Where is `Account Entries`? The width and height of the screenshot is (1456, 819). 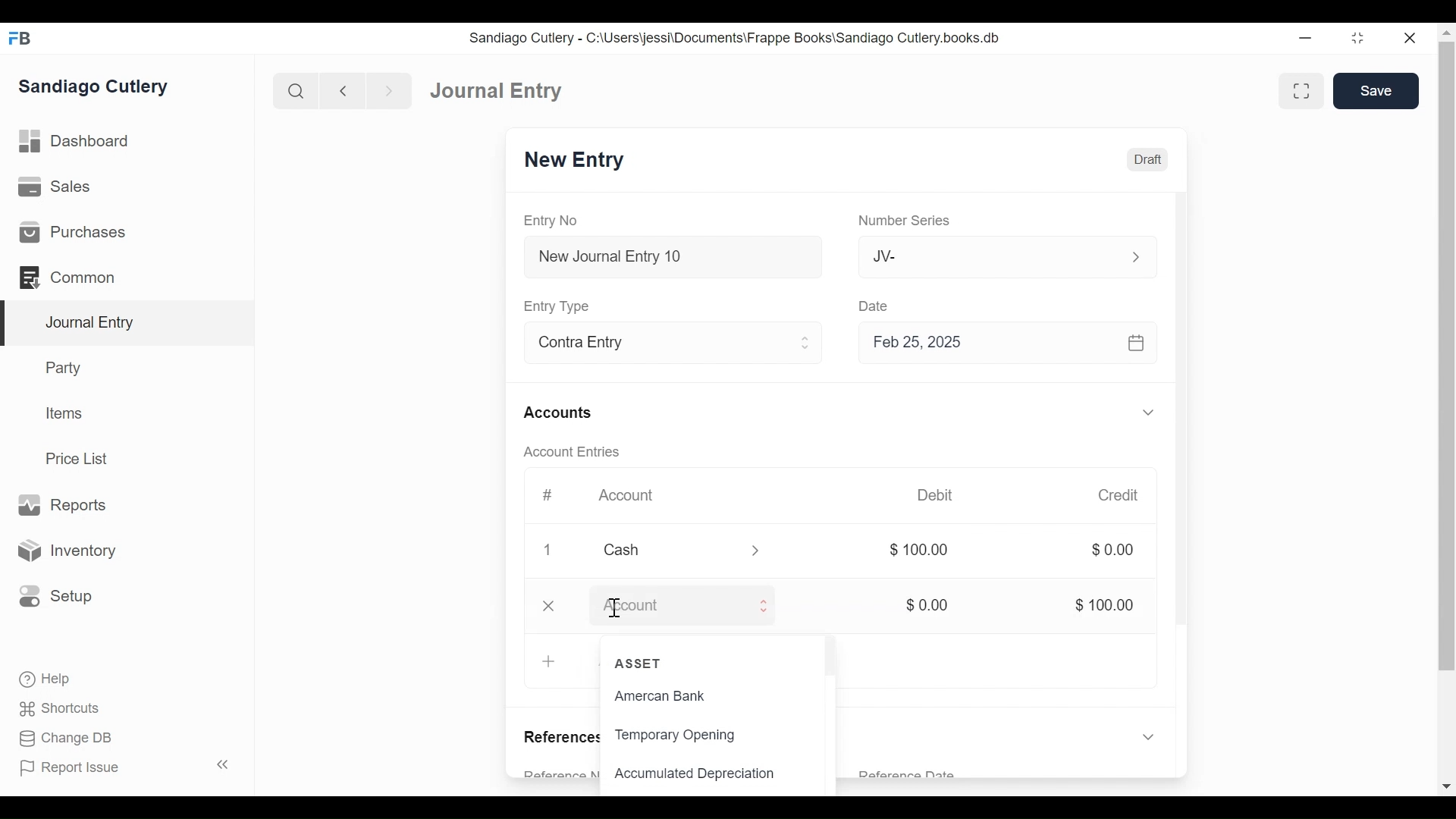
Account Entries is located at coordinates (576, 453).